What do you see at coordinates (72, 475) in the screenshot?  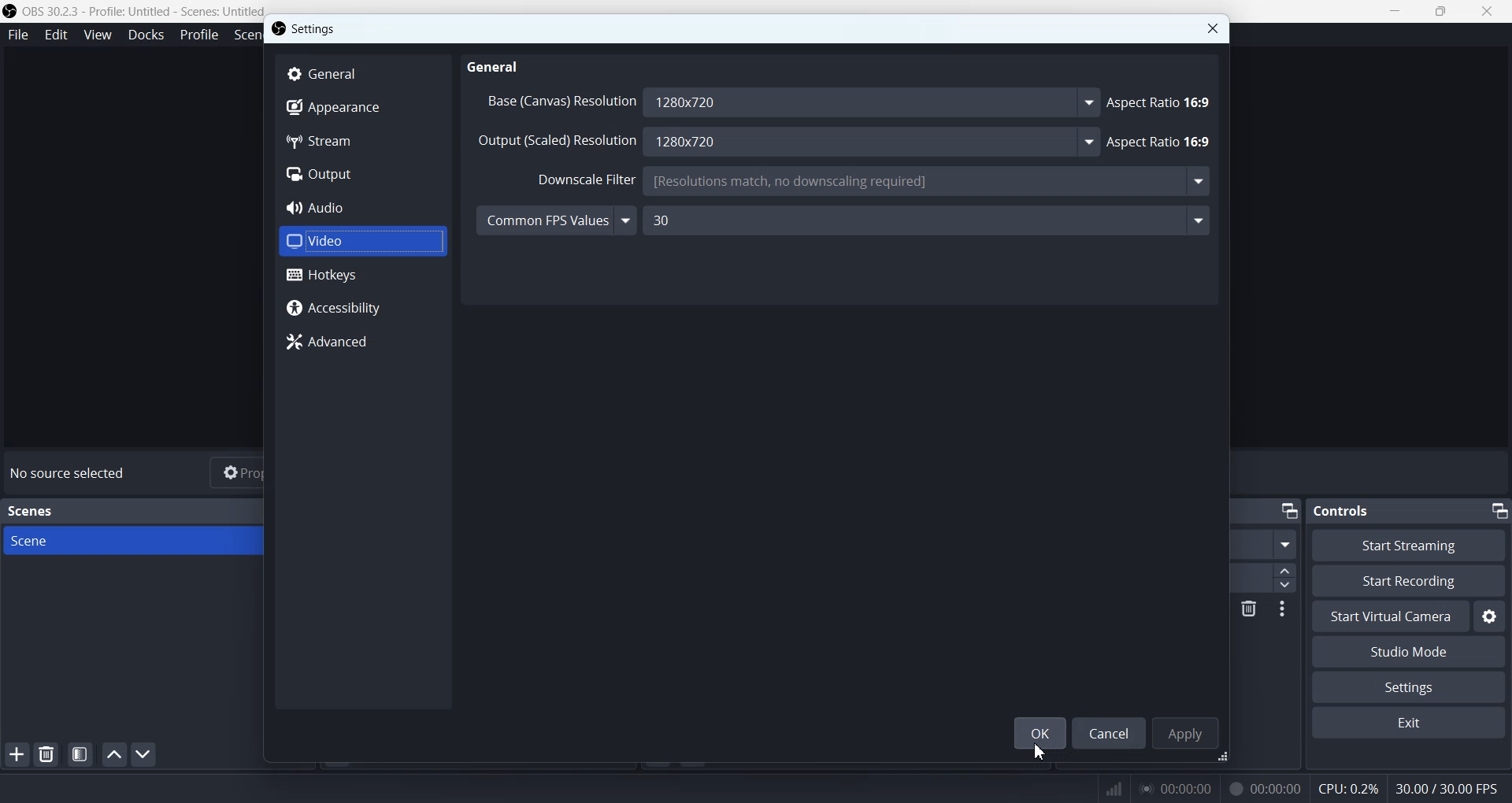 I see `No source selected` at bounding box center [72, 475].